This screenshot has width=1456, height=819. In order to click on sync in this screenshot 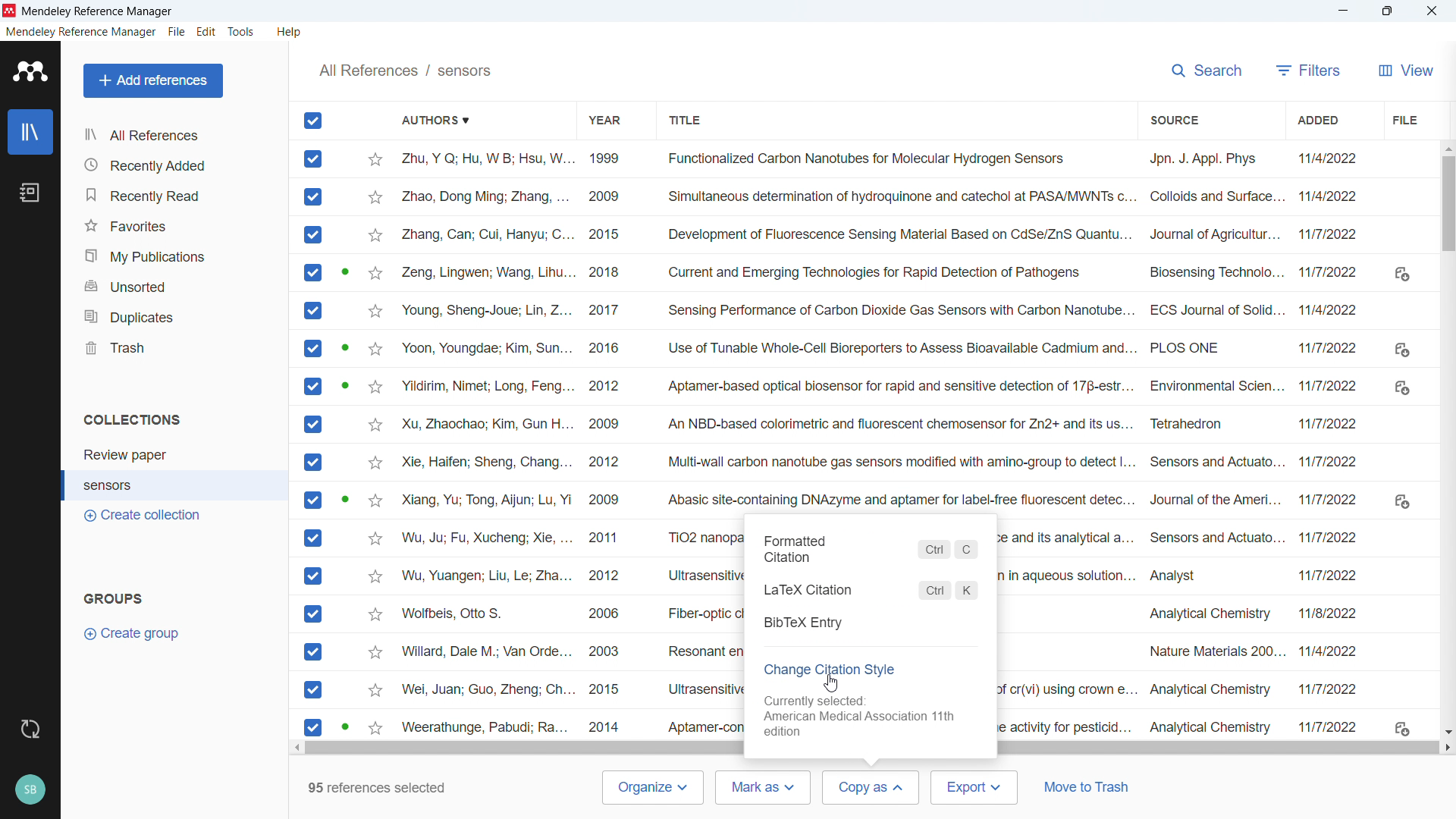, I will do `click(29, 728)`.